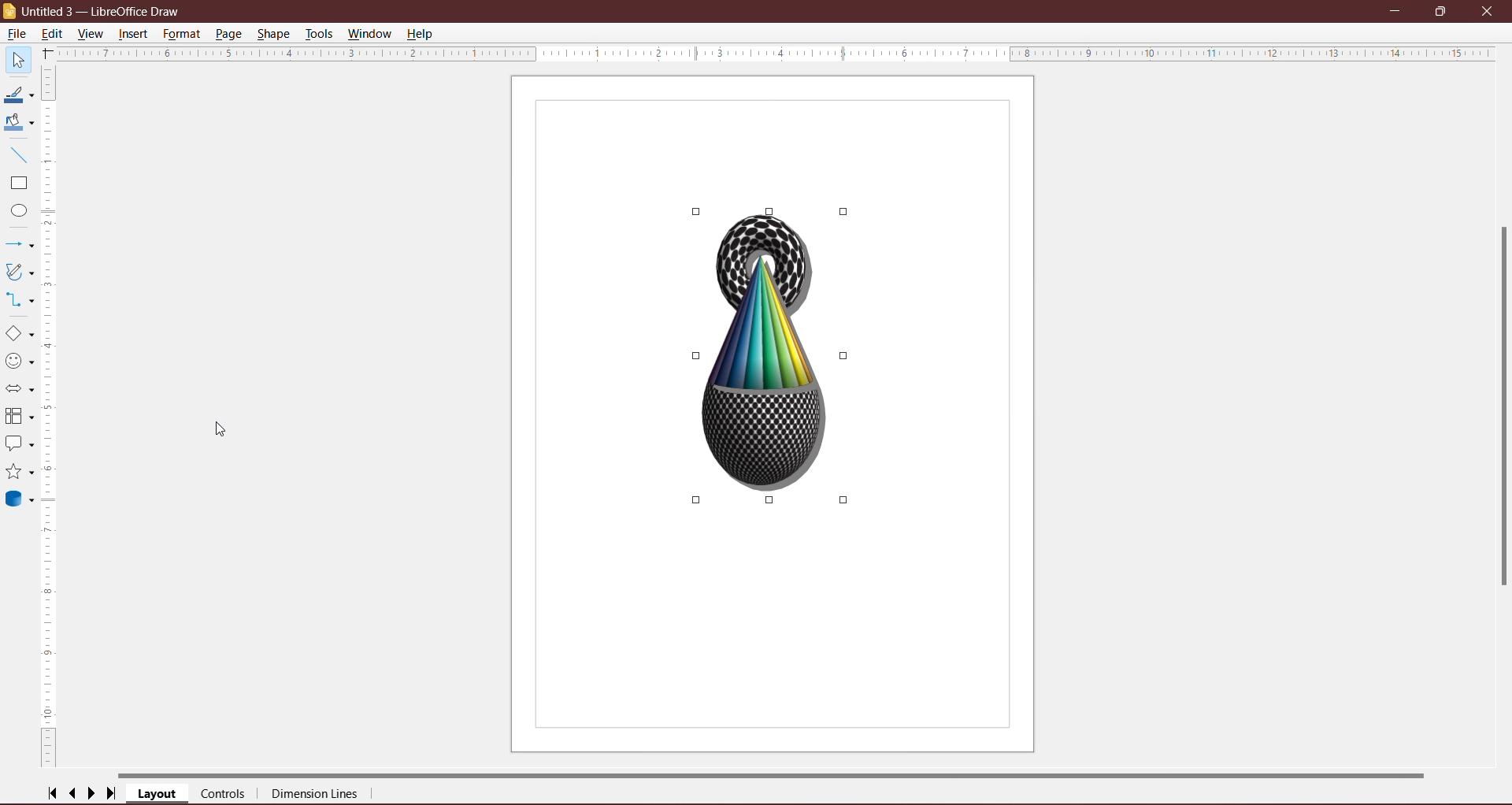 The width and height of the screenshot is (1512, 805). What do you see at coordinates (54, 34) in the screenshot?
I see `Edit` at bounding box center [54, 34].